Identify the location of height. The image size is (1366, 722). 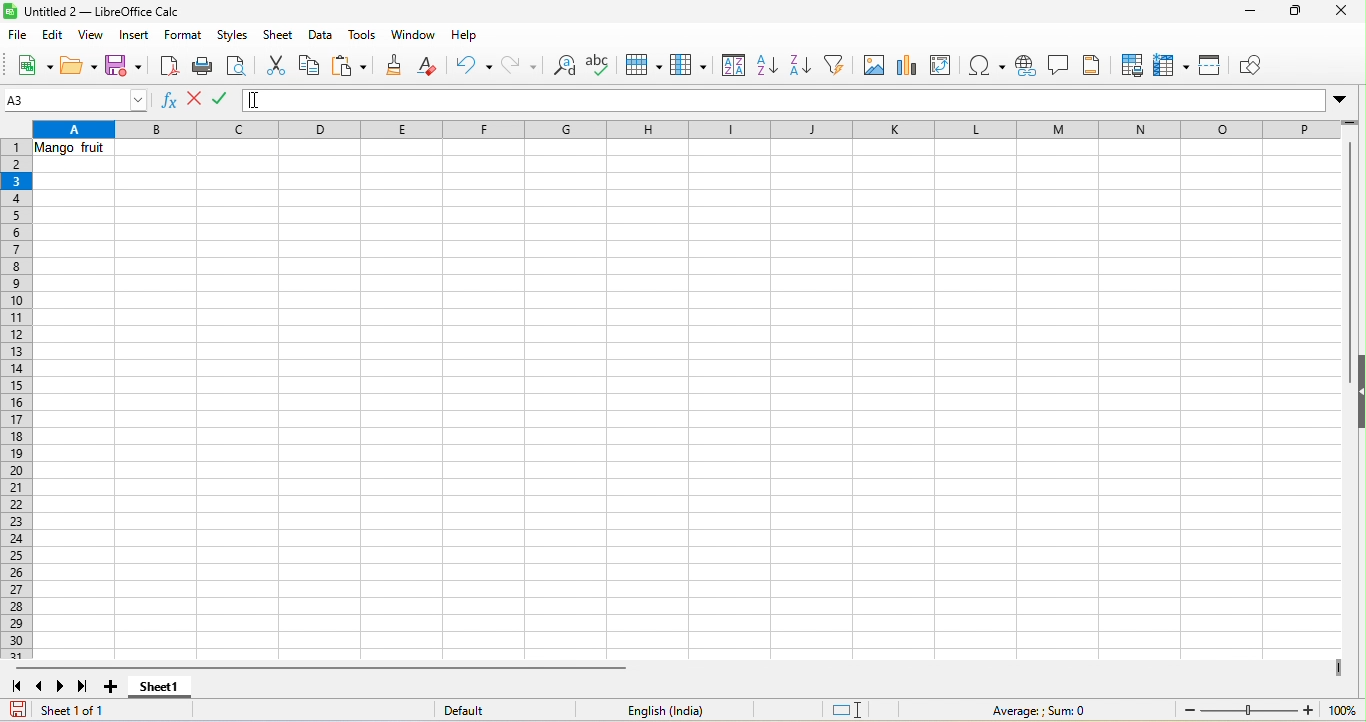
(1357, 388).